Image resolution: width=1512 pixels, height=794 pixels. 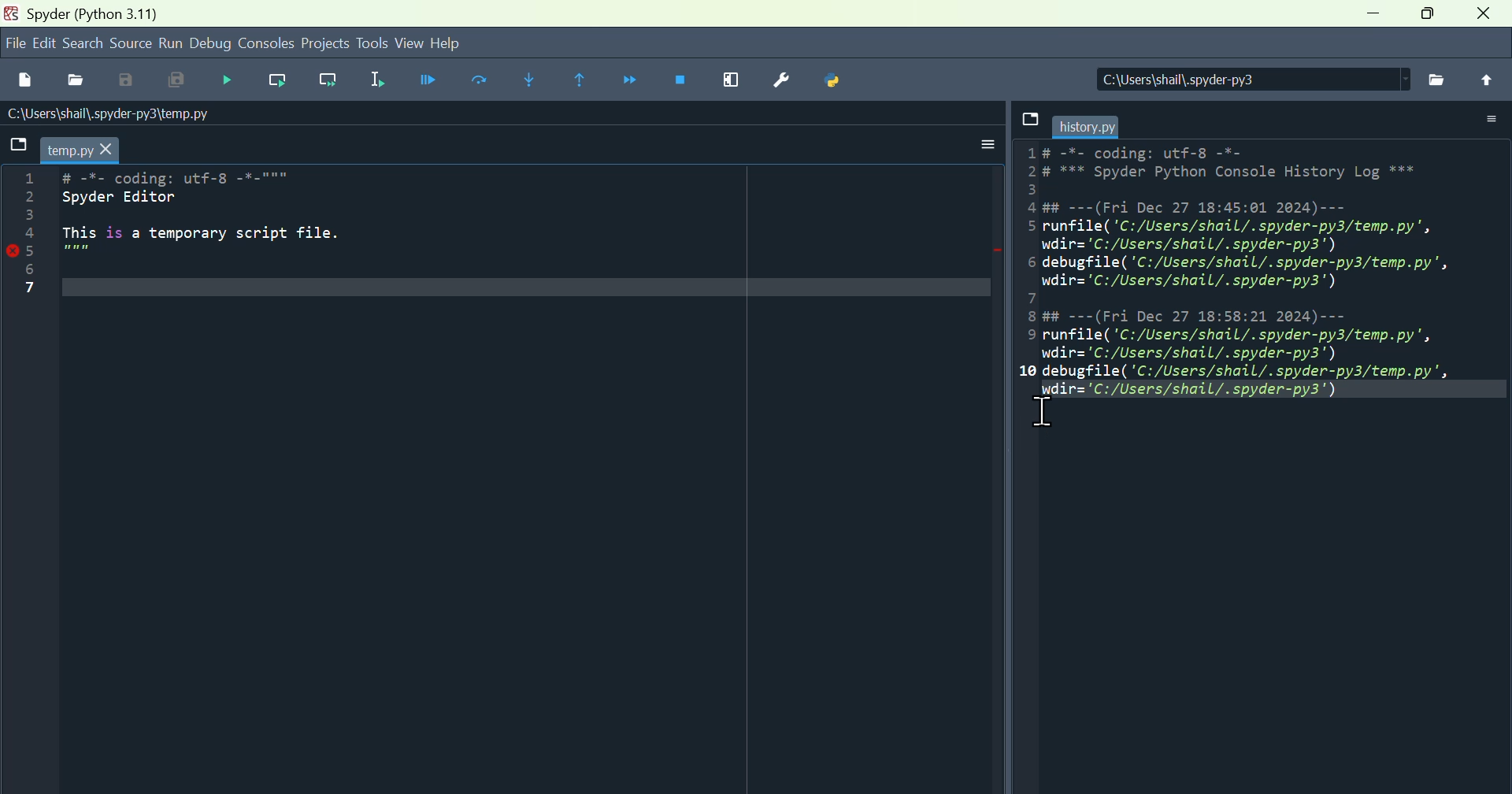 I want to click on file, so click(x=1438, y=78).